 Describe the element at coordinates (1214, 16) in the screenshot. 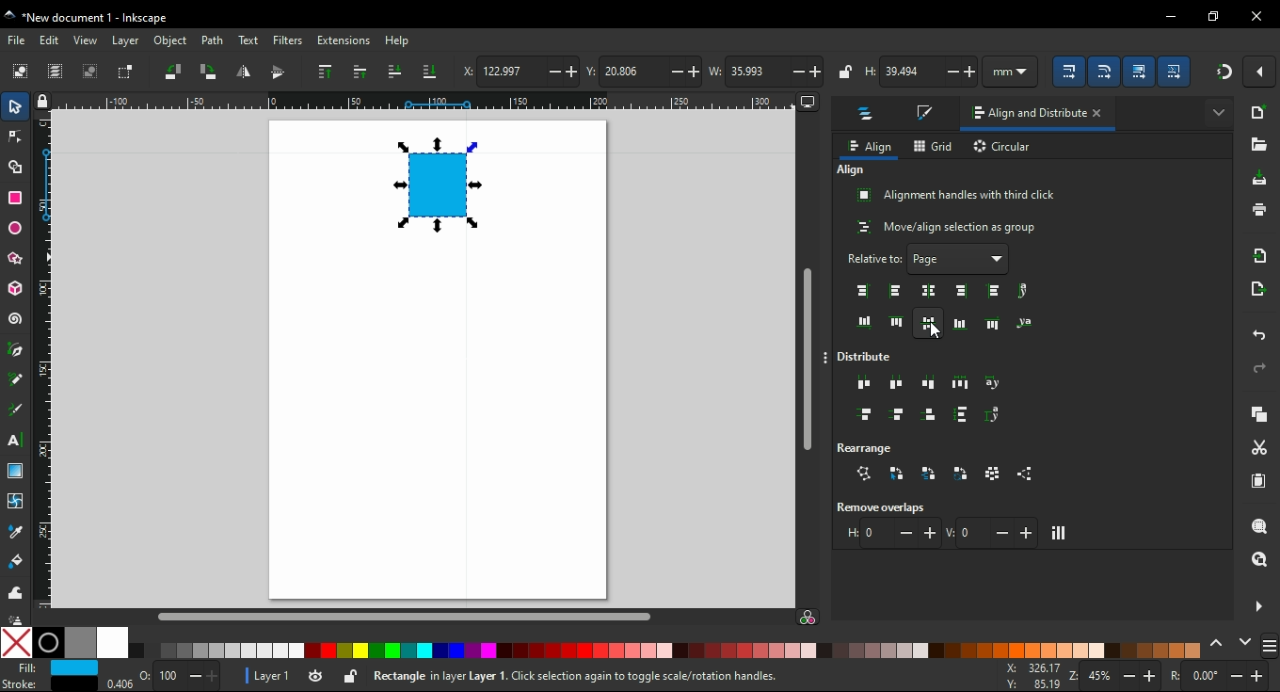

I see `restore` at that location.